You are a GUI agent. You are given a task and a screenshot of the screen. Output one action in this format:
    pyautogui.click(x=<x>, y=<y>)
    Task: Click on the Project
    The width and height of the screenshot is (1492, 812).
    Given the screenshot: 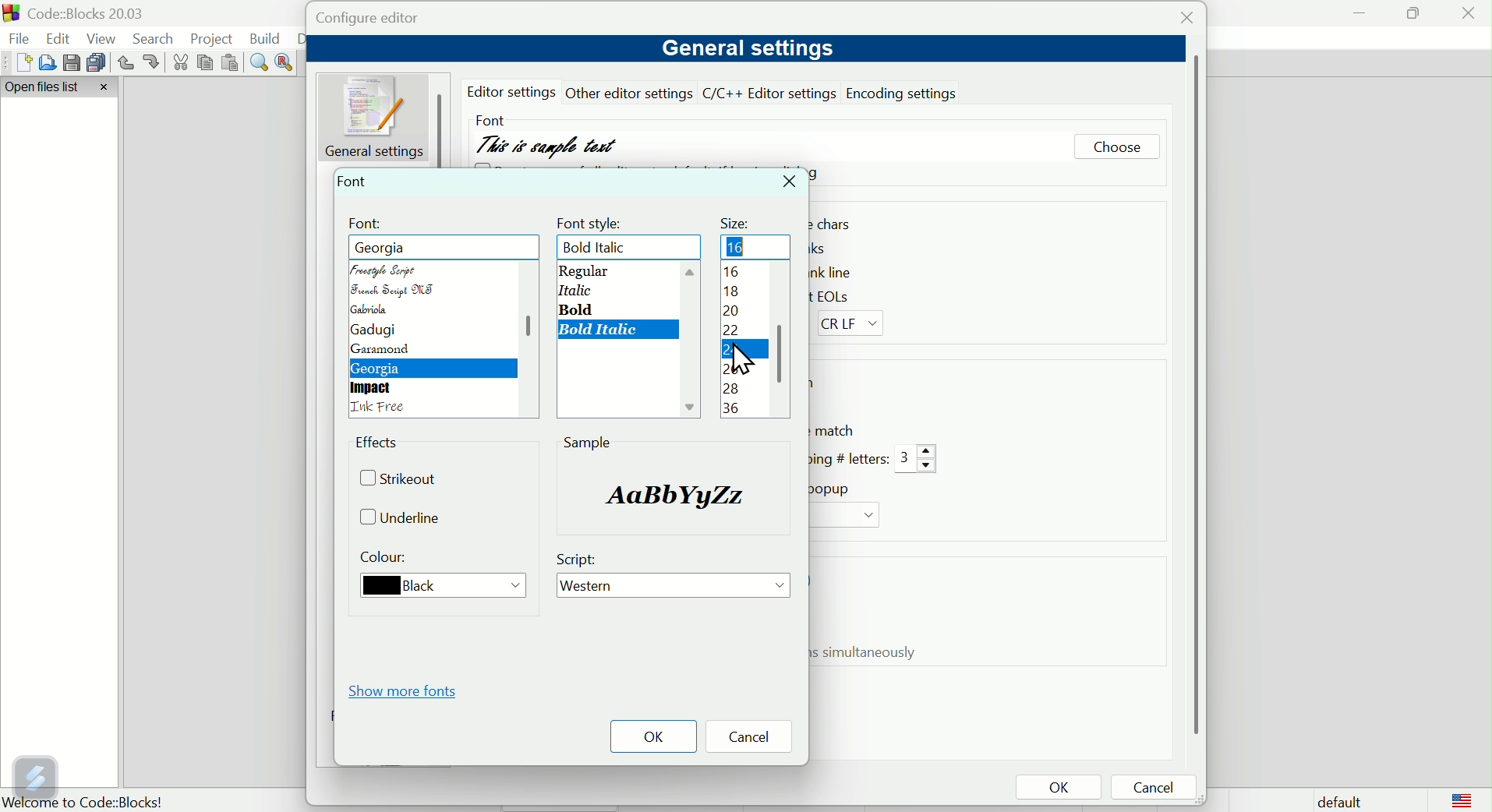 What is the action you would take?
    pyautogui.click(x=214, y=38)
    